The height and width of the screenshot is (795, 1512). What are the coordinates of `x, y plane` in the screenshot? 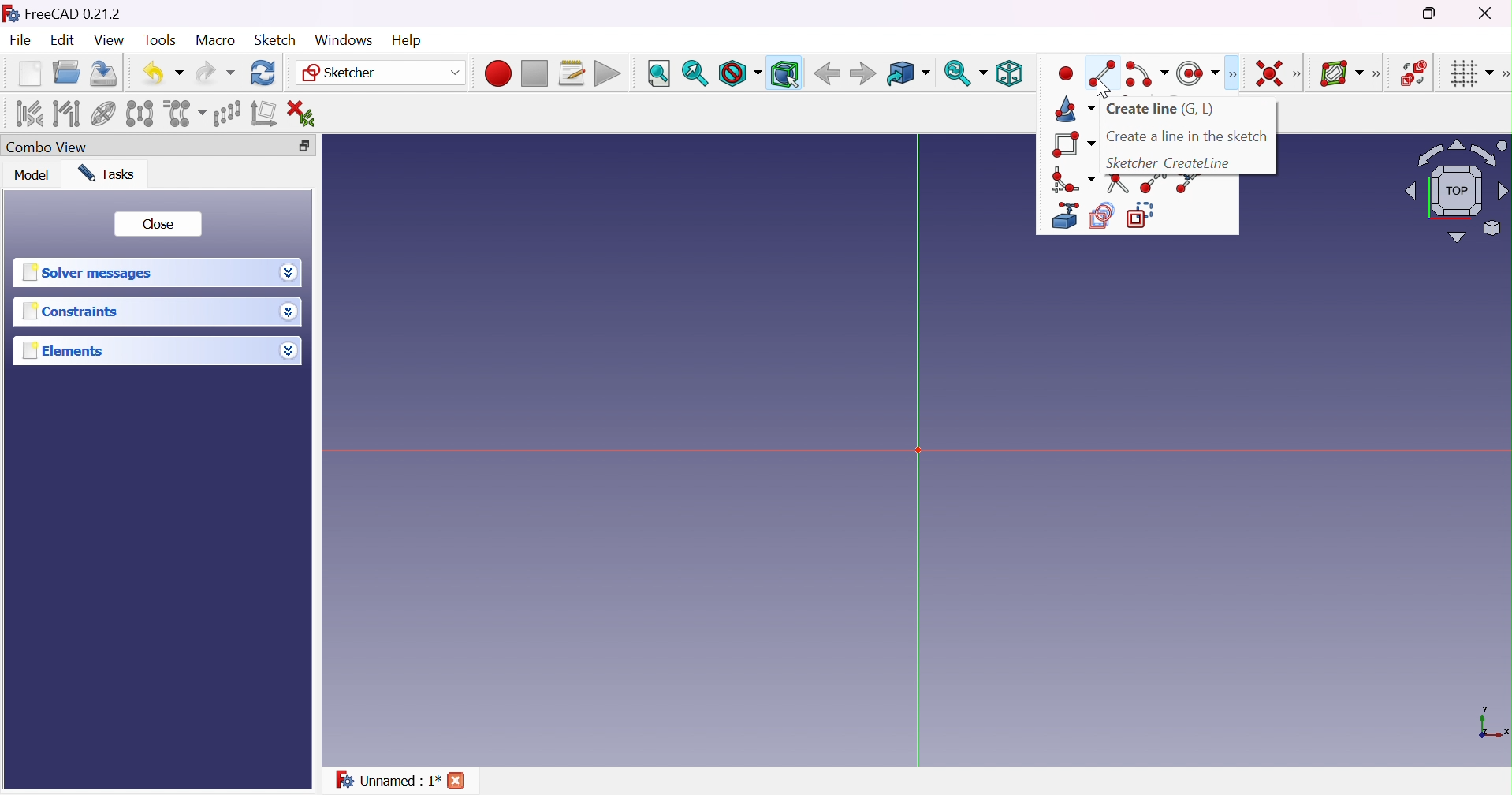 It's located at (1493, 724).